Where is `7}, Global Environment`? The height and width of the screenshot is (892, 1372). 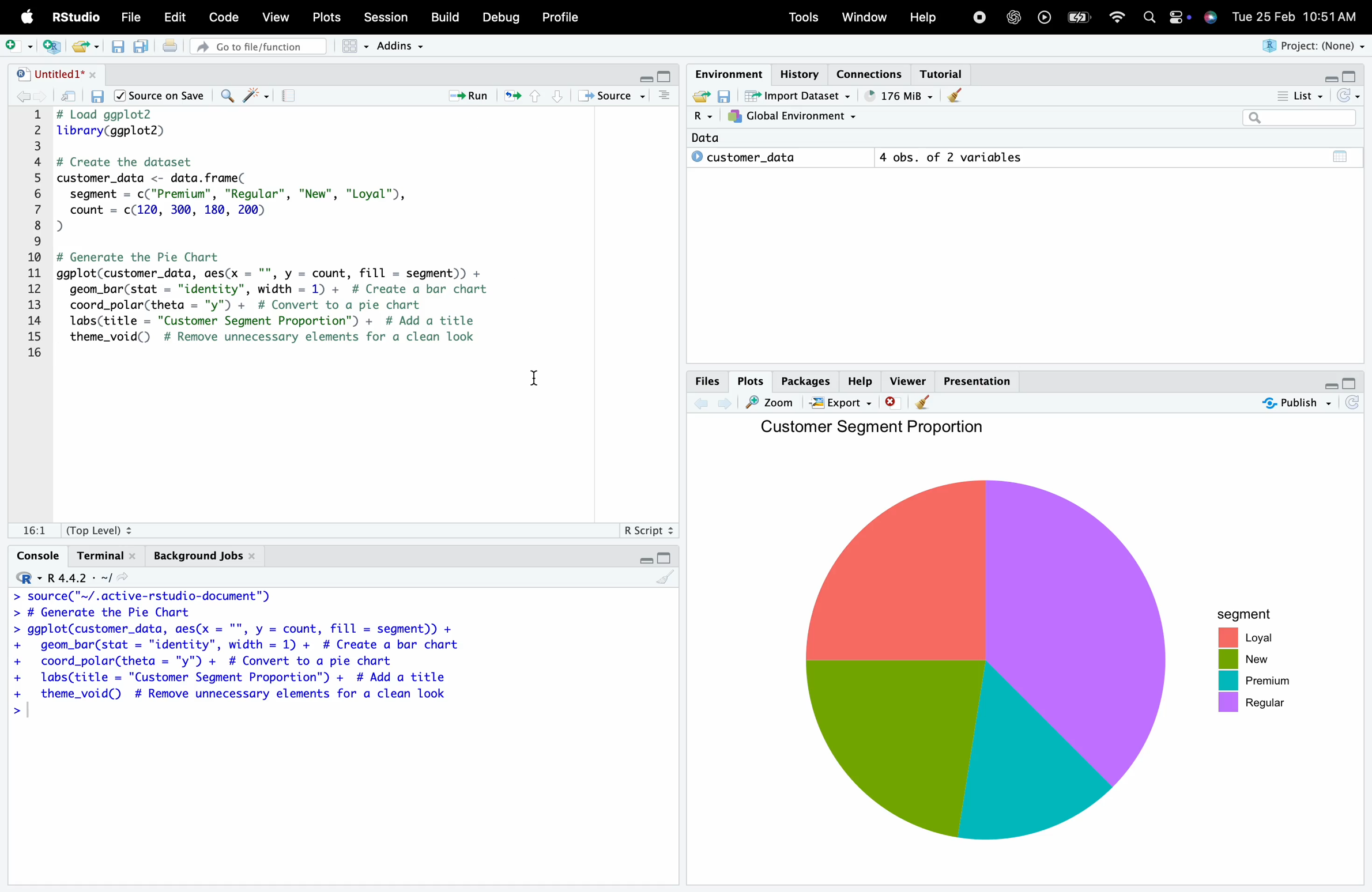
7}, Global Environment is located at coordinates (796, 116).